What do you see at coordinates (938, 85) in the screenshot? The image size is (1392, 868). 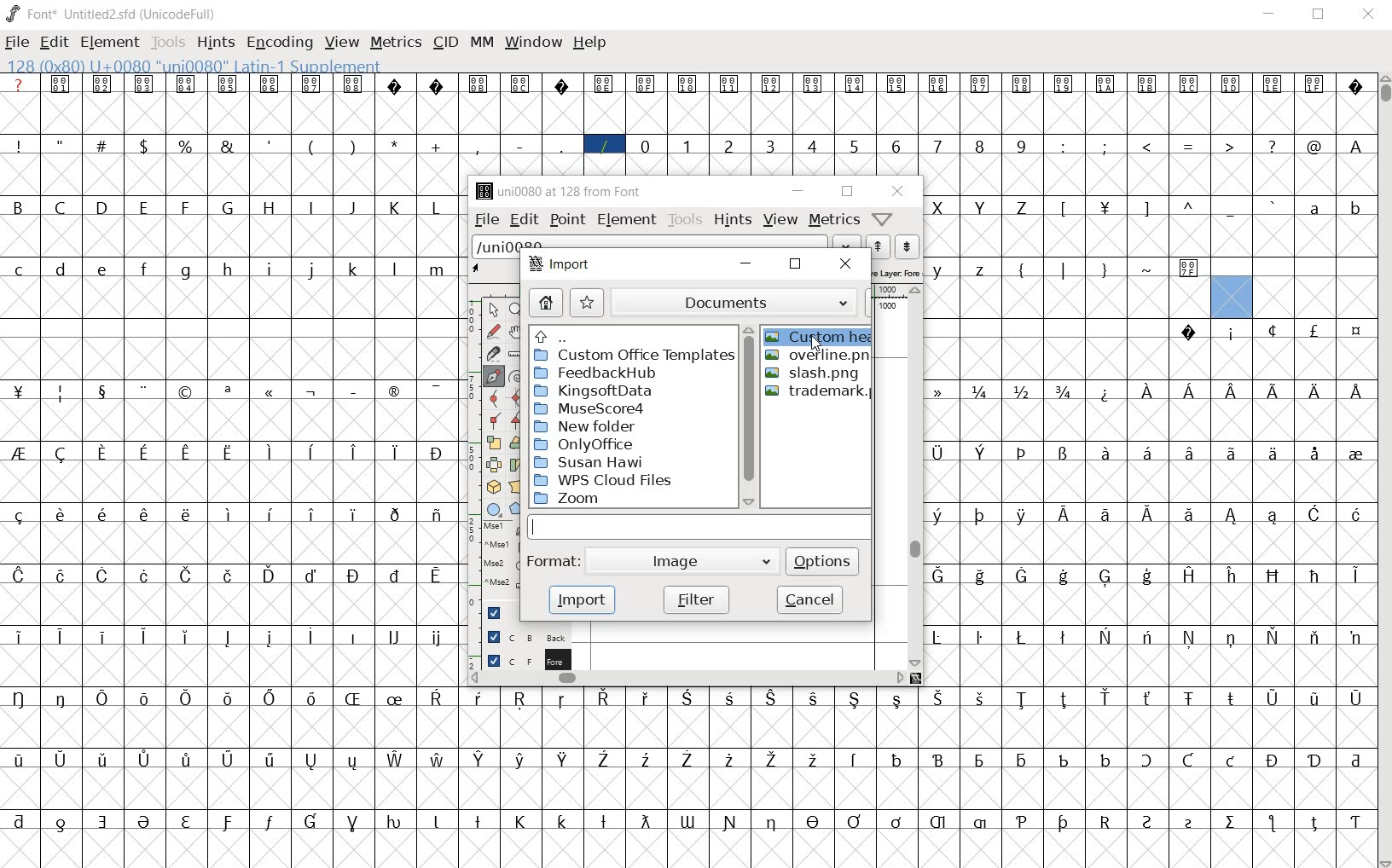 I see `glyph` at bounding box center [938, 85].